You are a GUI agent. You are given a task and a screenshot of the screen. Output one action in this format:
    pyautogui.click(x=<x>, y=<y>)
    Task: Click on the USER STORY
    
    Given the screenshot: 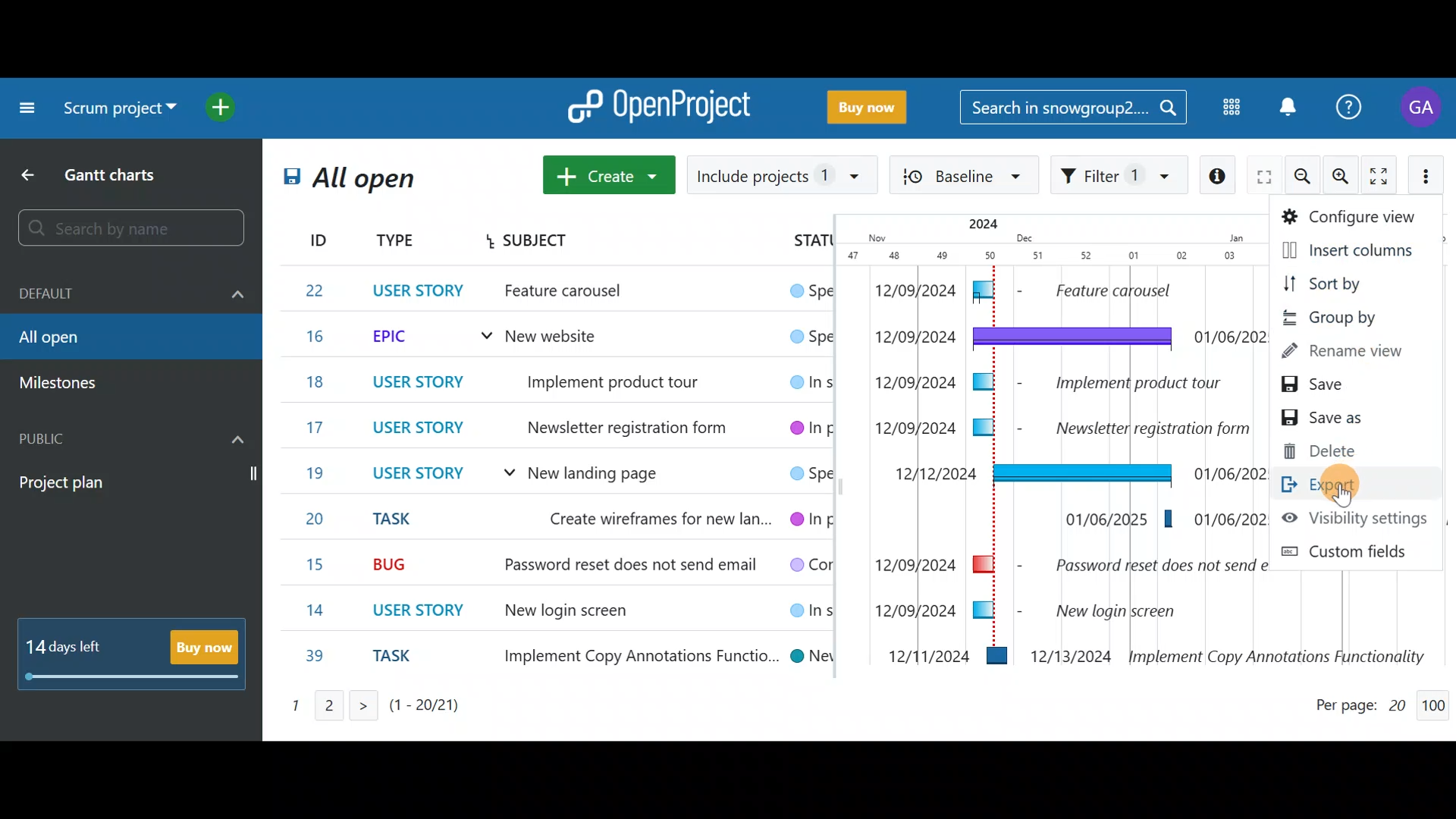 What is the action you would take?
    pyautogui.click(x=416, y=381)
    